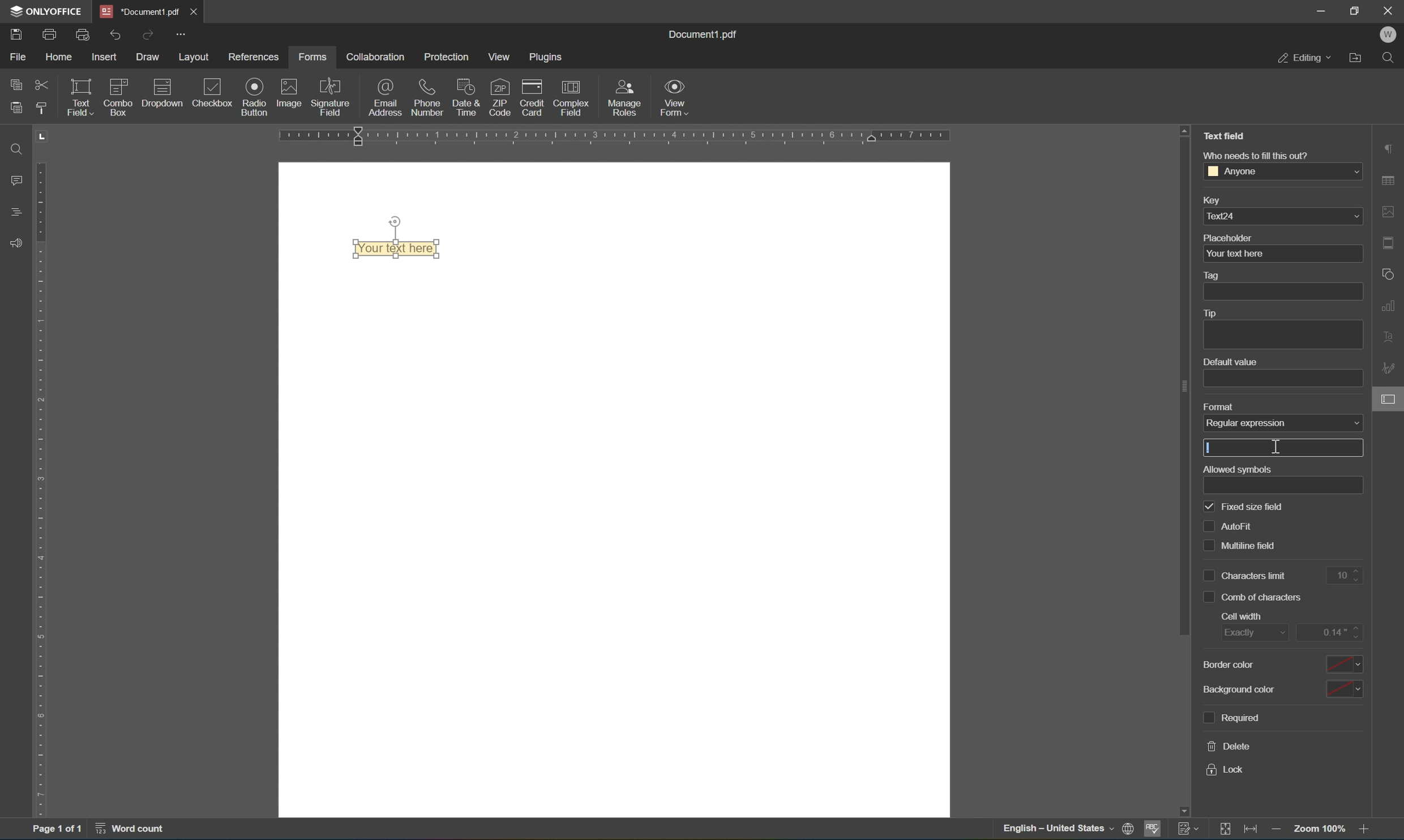  What do you see at coordinates (1283, 170) in the screenshot?
I see `anyone` at bounding box center [1283, 170].